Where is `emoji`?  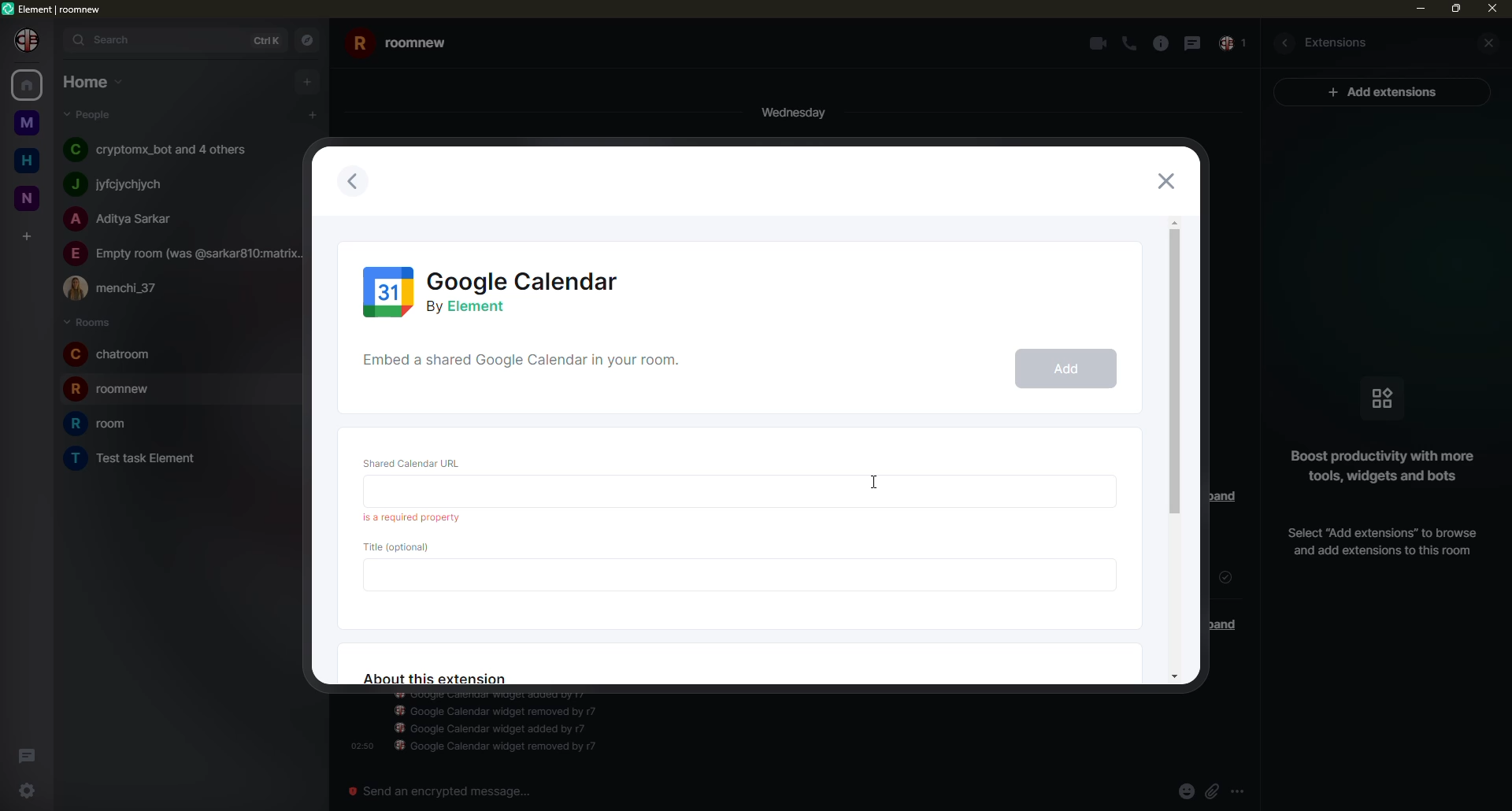 emoji is located at coordinates (1185, 791).